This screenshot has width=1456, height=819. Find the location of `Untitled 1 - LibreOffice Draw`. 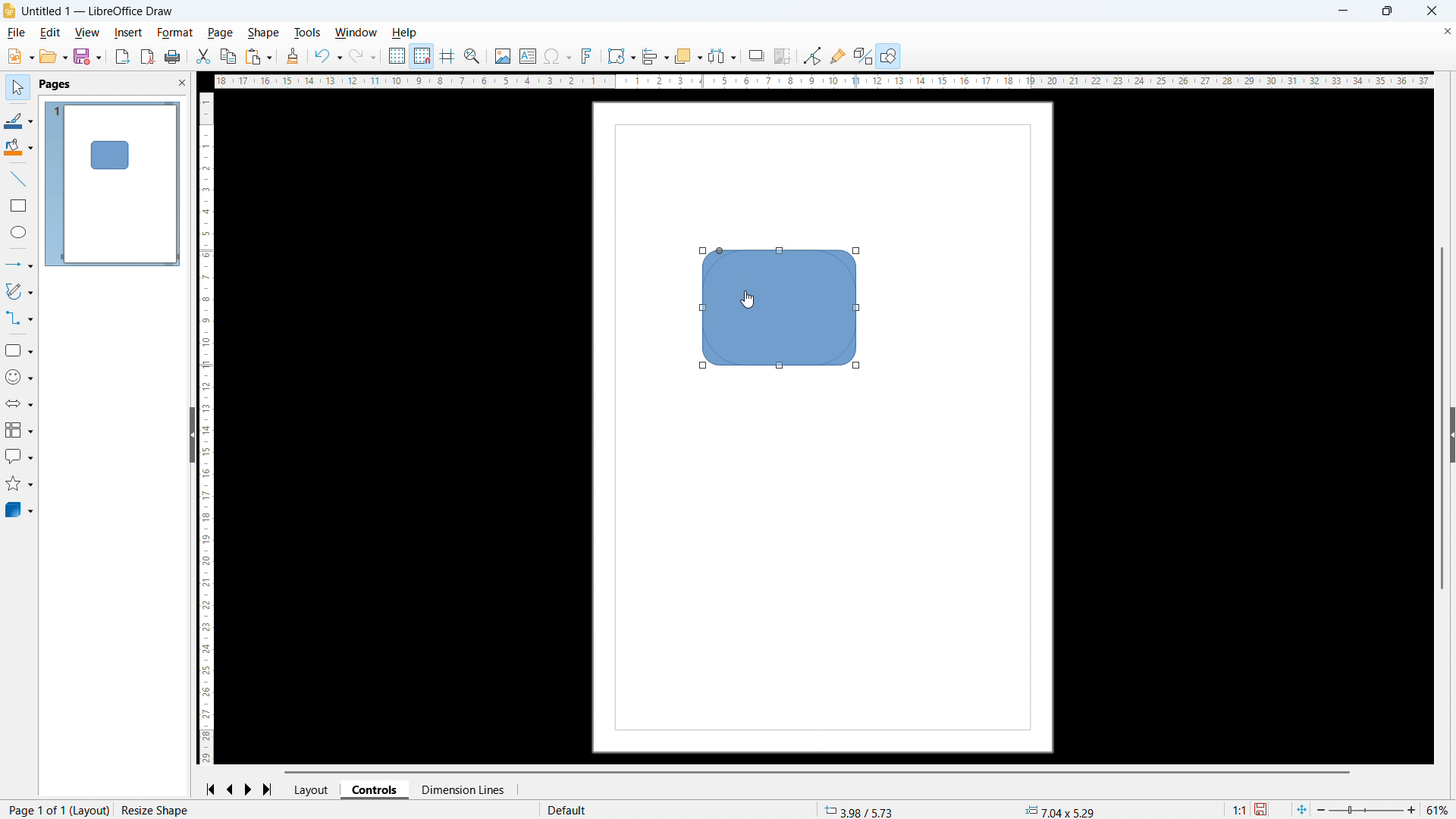

Untitled 1 - LibreOffice Draw is located at coordinates (100, 12).